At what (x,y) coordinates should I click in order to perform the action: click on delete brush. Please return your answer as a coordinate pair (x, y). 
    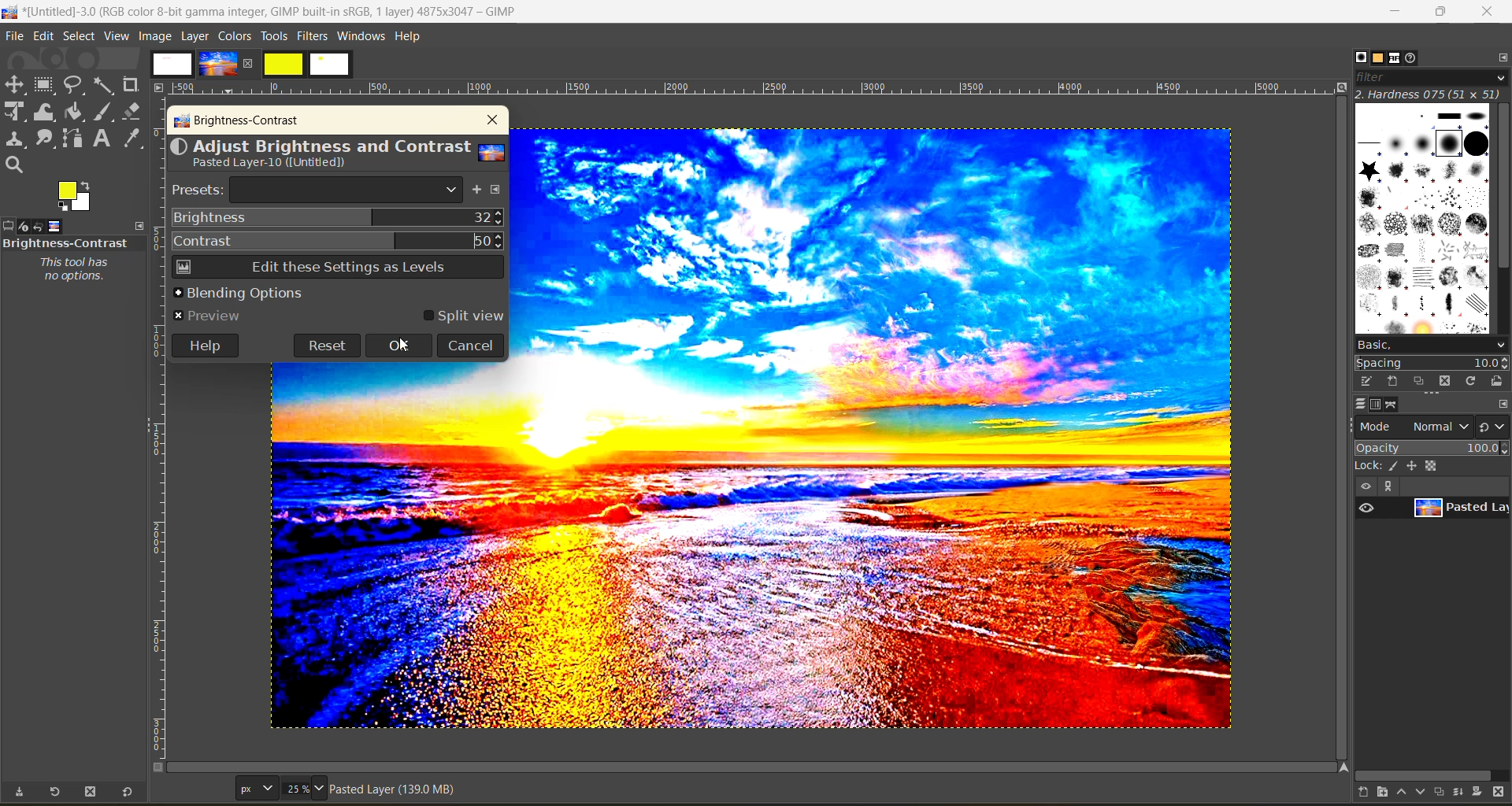
    Looking at the image, I should click on (1448, 383).